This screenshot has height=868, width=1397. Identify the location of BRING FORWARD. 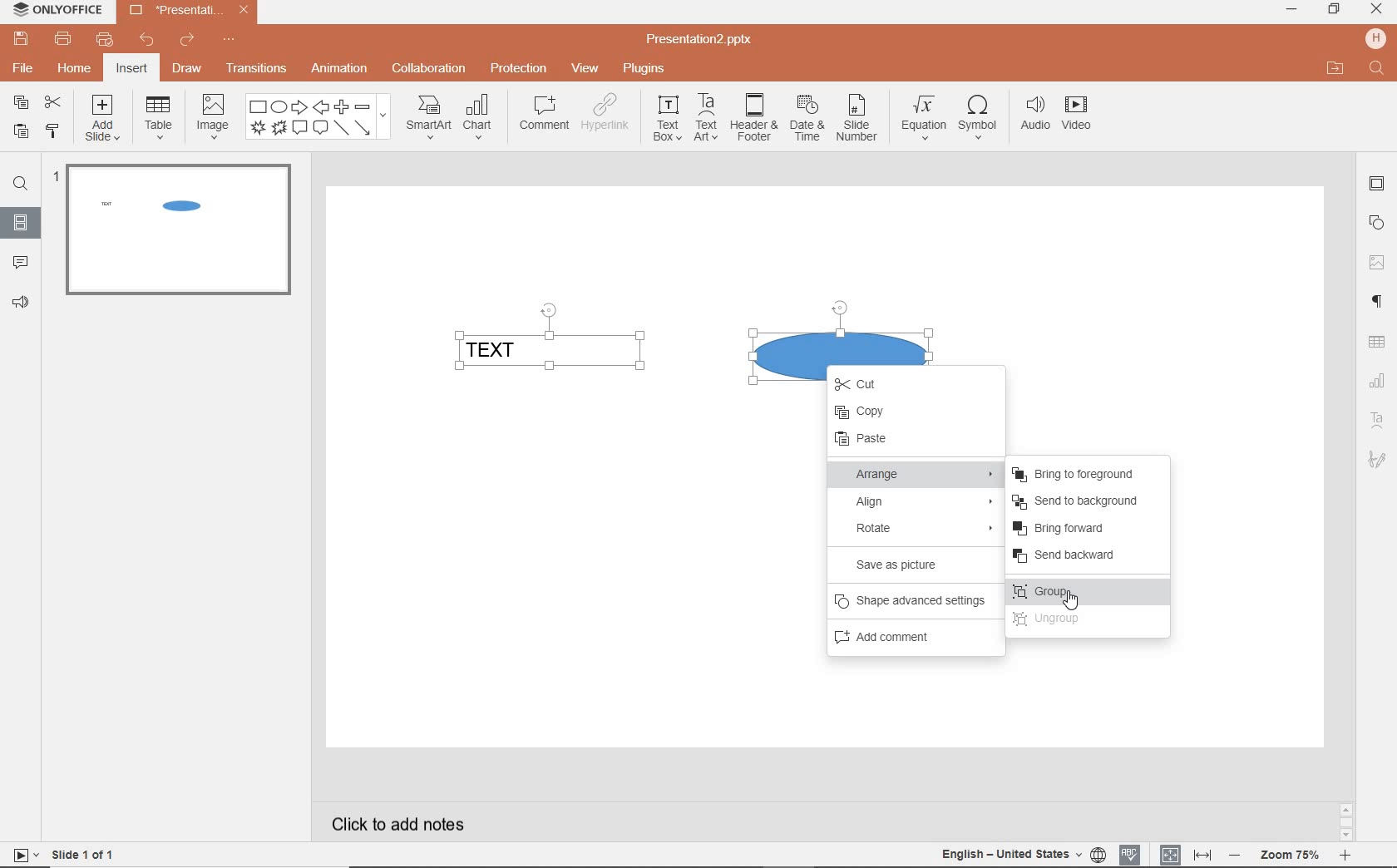
(1069, 529).